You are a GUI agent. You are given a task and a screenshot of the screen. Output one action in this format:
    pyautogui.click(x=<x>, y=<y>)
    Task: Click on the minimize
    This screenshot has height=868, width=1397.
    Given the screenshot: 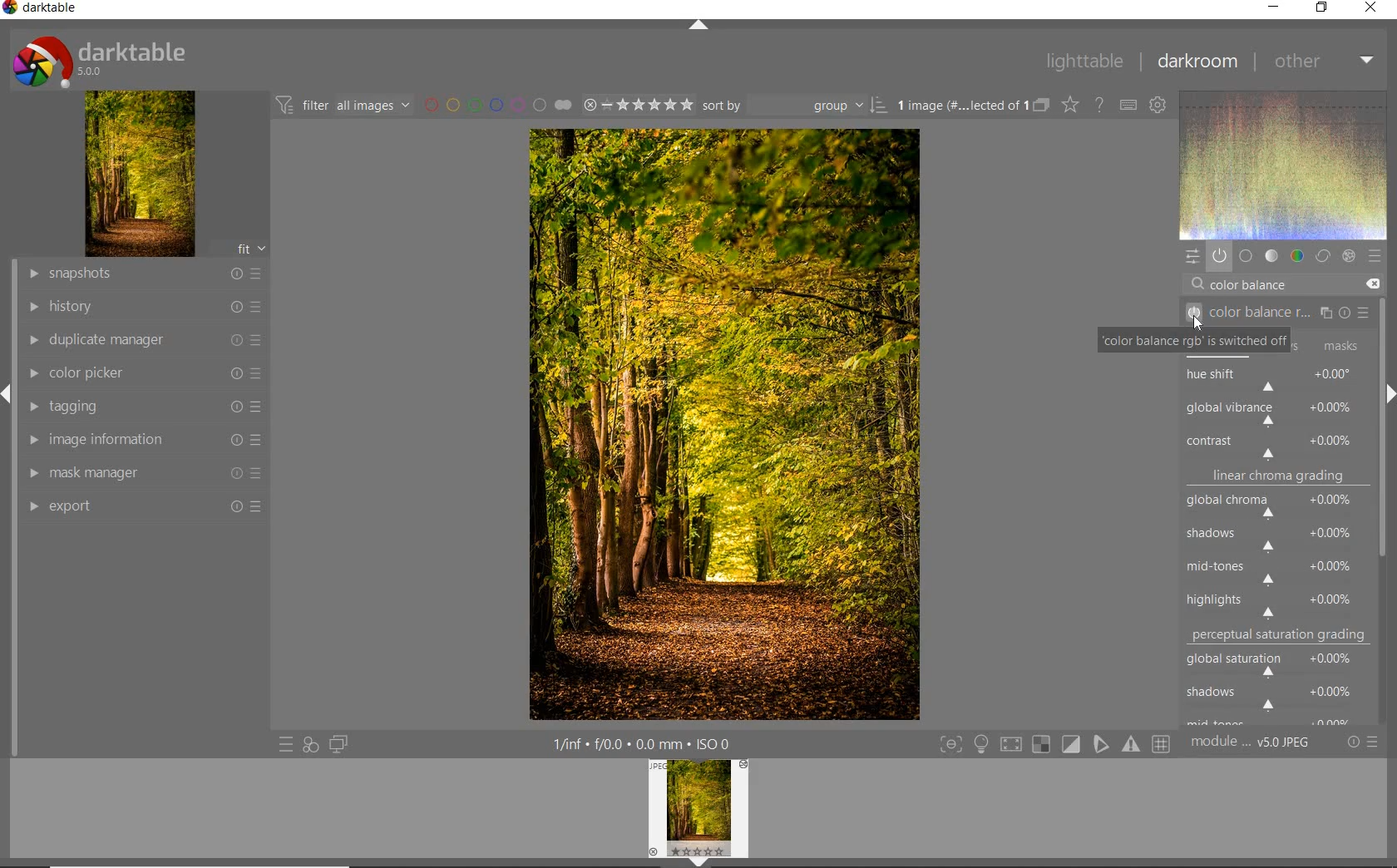 What is the action you would take?
    pyautogui.click(x=1275, y=6)
    